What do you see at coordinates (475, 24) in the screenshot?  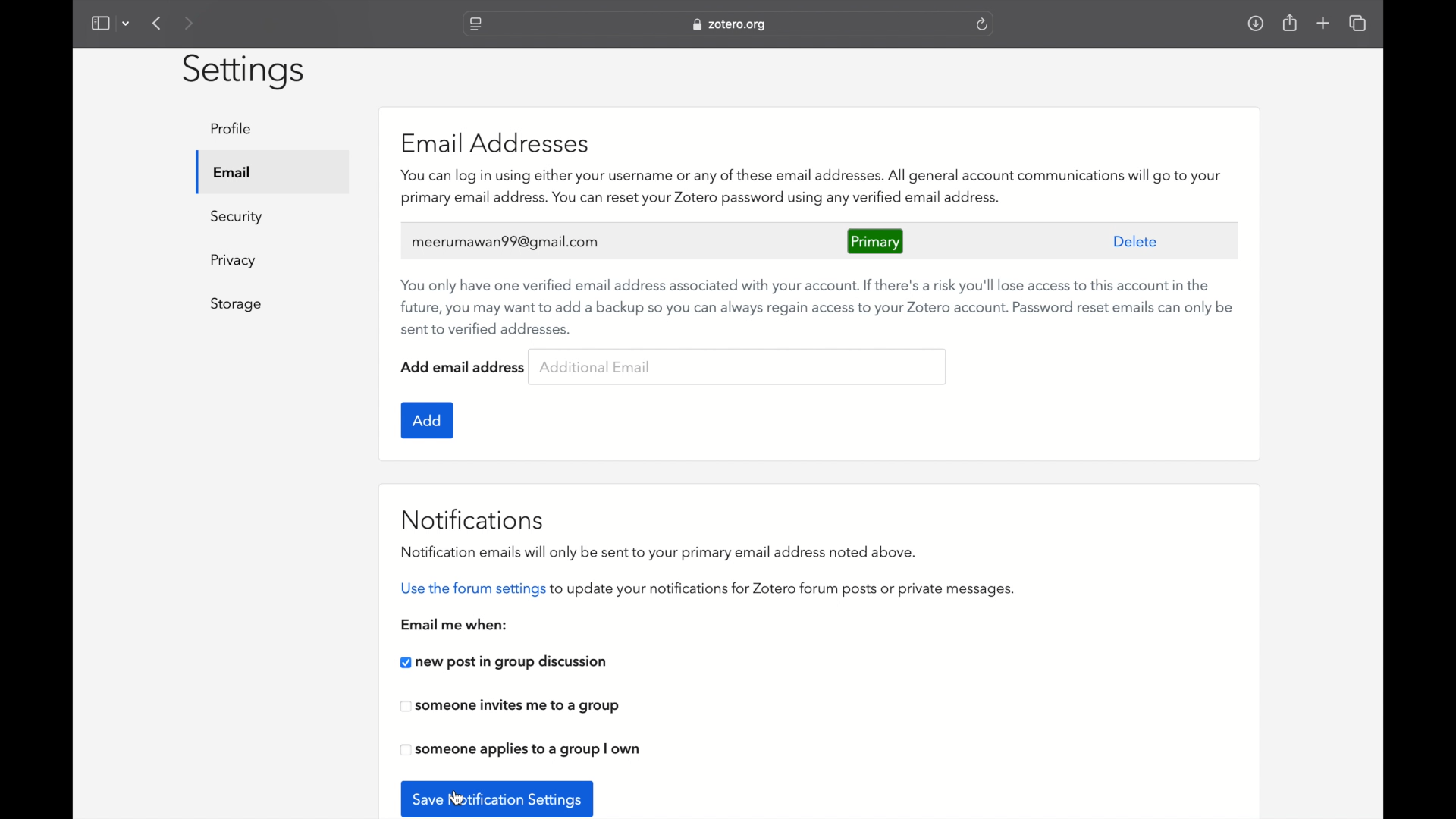 I see `website settings` at bounding box center [475, 24].